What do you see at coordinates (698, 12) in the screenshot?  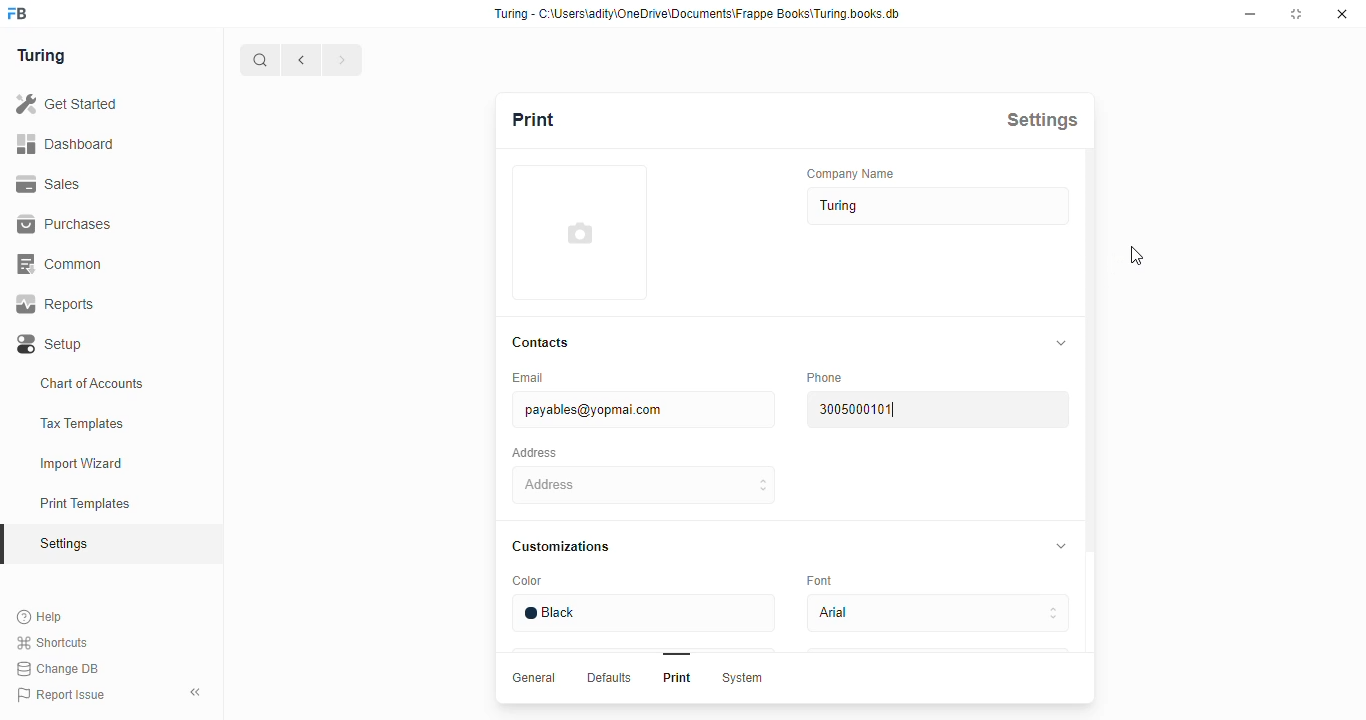 I see `Turing - C-\Users\adity\OneDrive\Documents\Frappe Books\Turing.books.db` at bounding box center [698, 12].